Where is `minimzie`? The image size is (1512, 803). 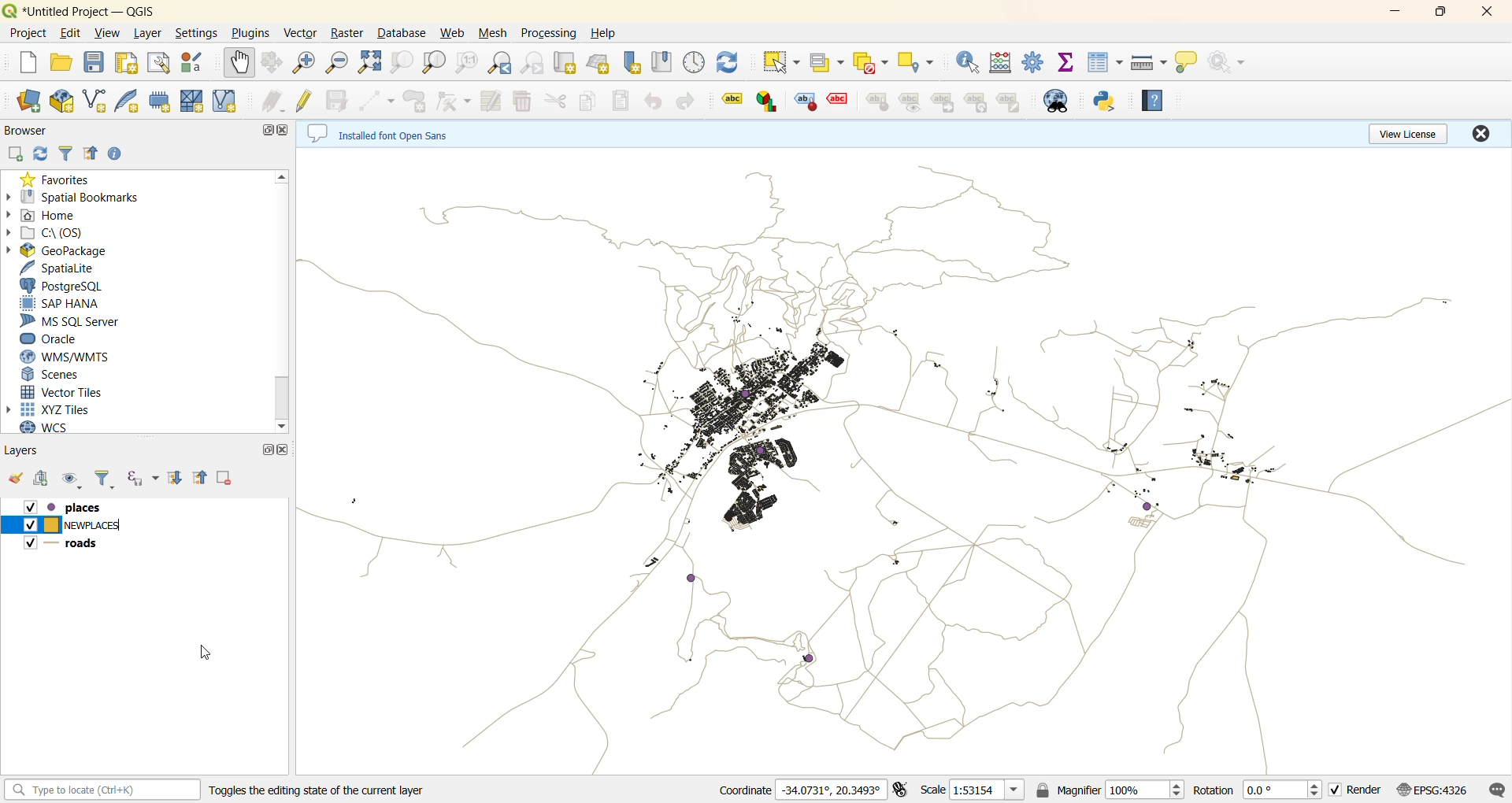 minimzie is located at coordinates (1393, 13).